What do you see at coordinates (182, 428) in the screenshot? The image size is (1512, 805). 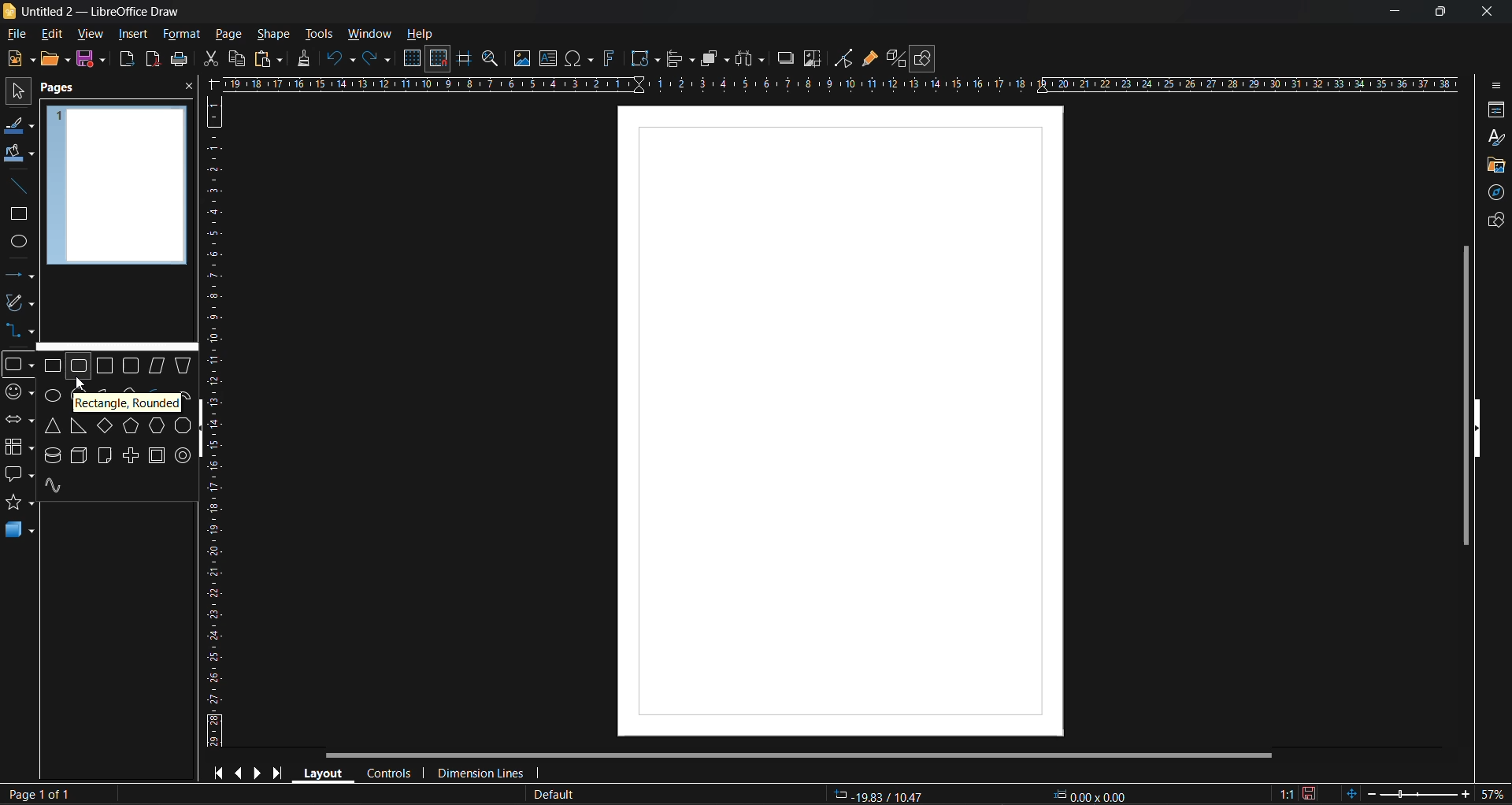 I see `octagon` at bounding box center [182, 428].